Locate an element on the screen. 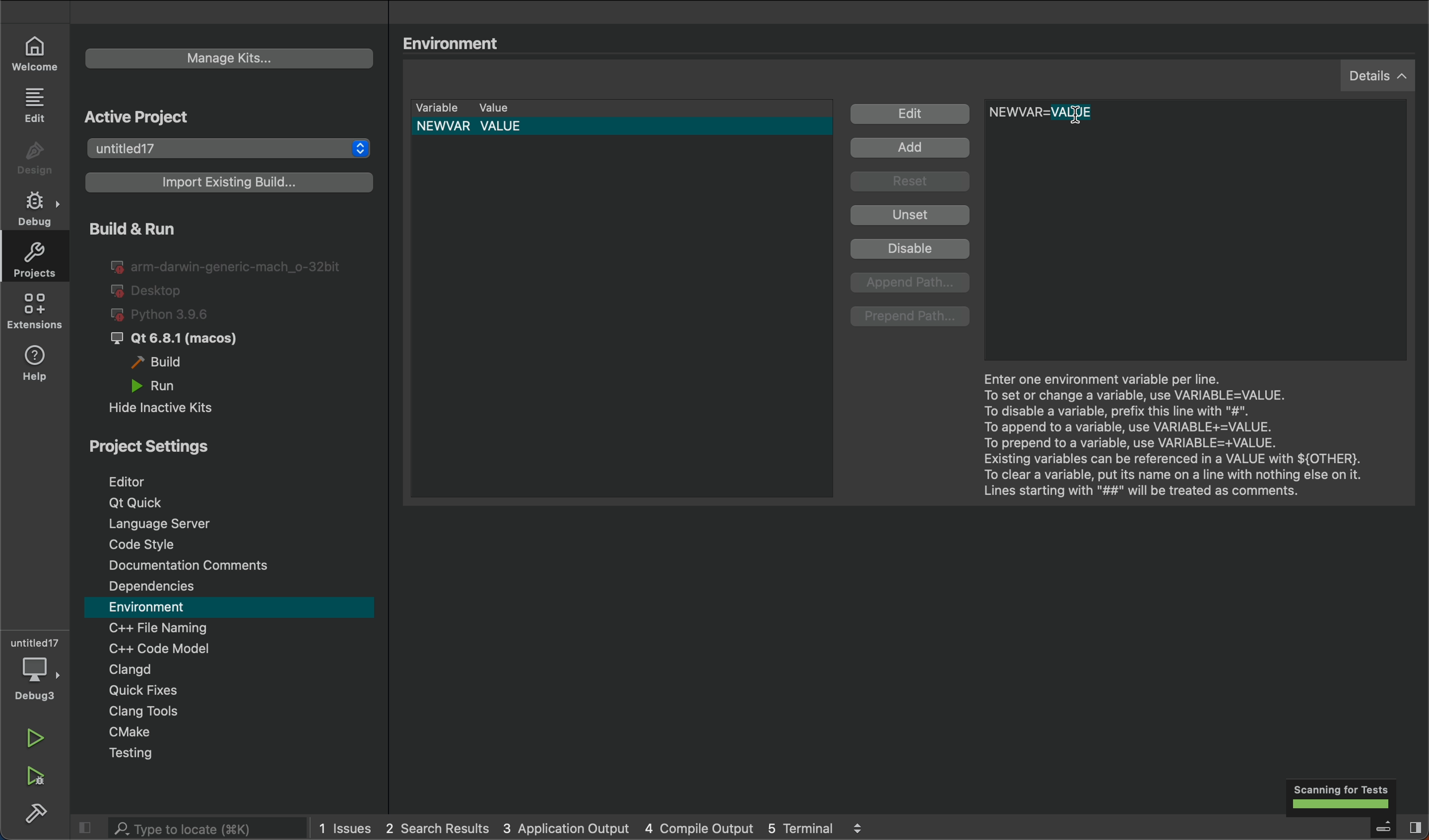 The width and height of the screenshot is (1429, 840). kits is located at coordinates (227, 60).